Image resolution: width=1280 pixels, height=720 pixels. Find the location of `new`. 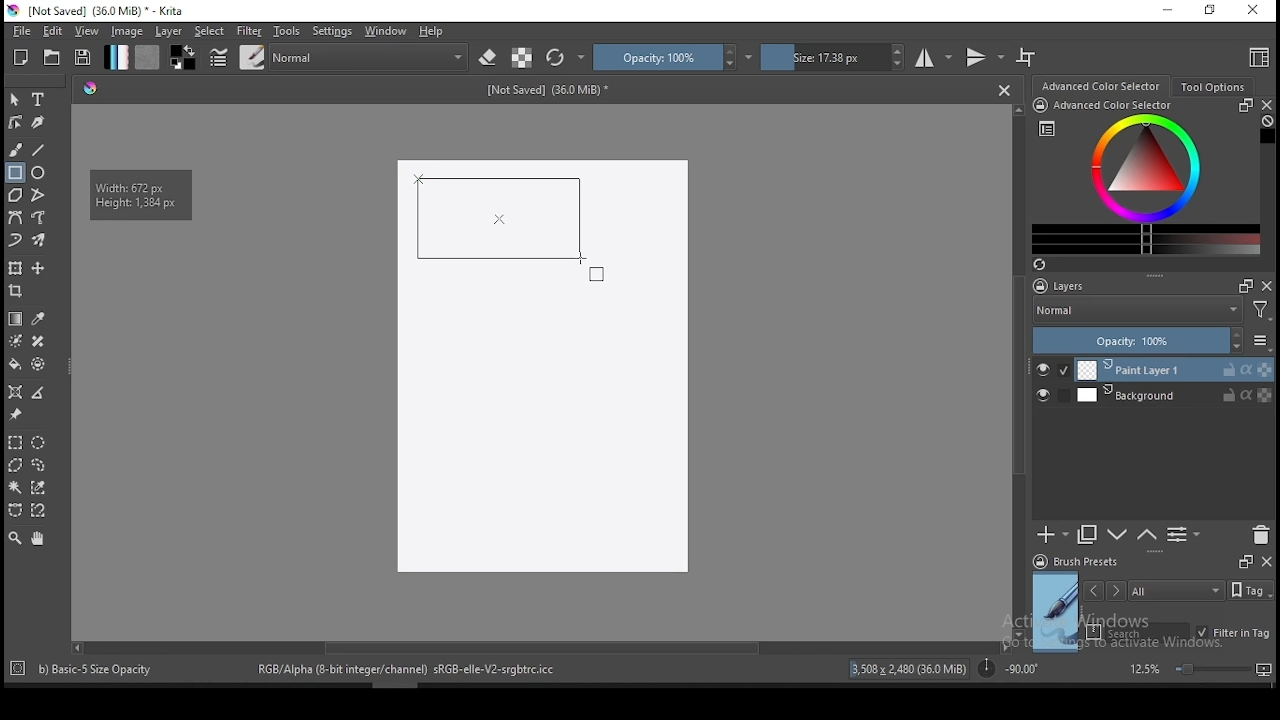

new is located at coordinates (21, 57).